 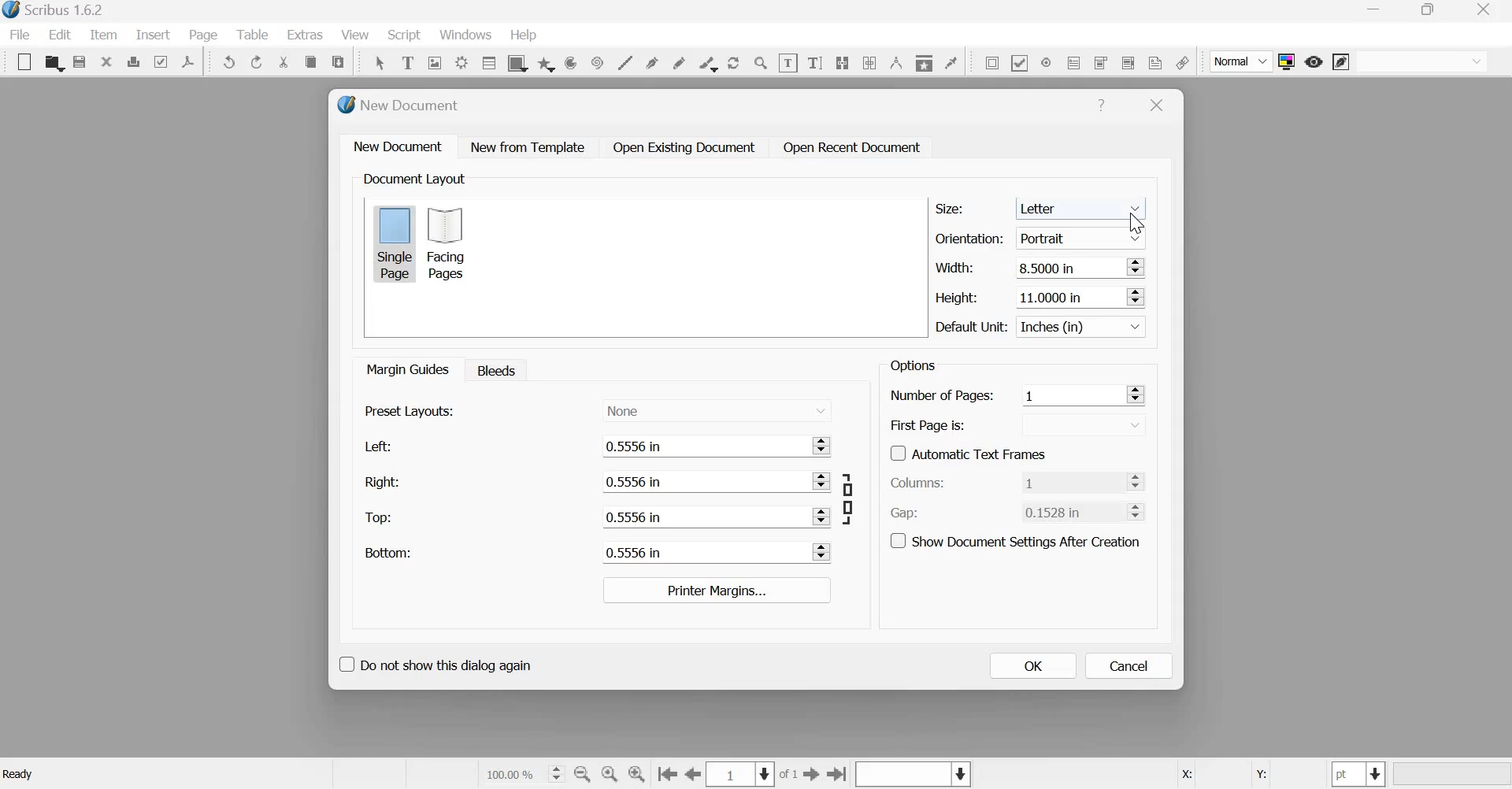 I want to click on Inches (in), so click(x=1084, y=327).